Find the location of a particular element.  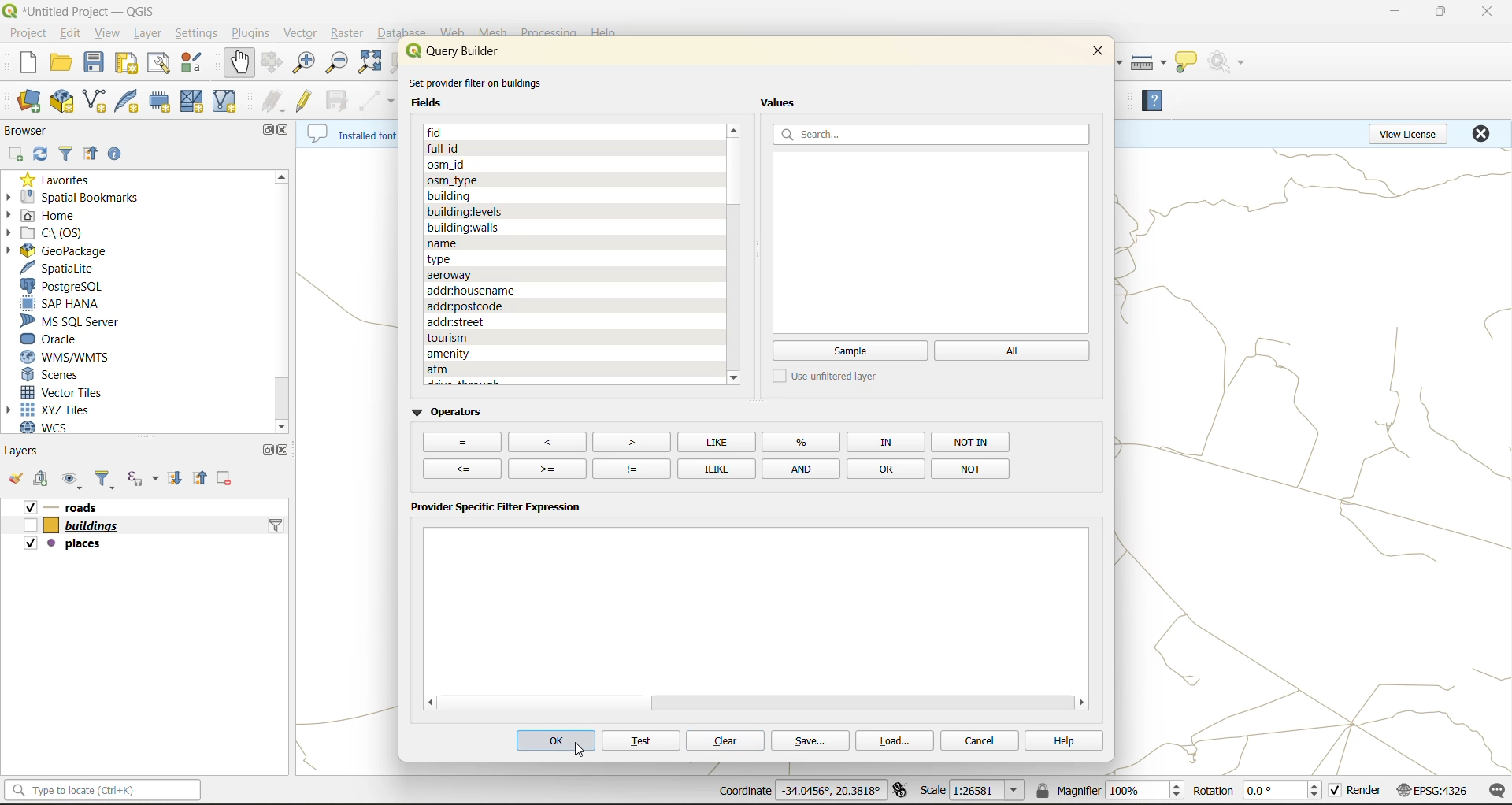

wcs is located at coordinates (55, 430).